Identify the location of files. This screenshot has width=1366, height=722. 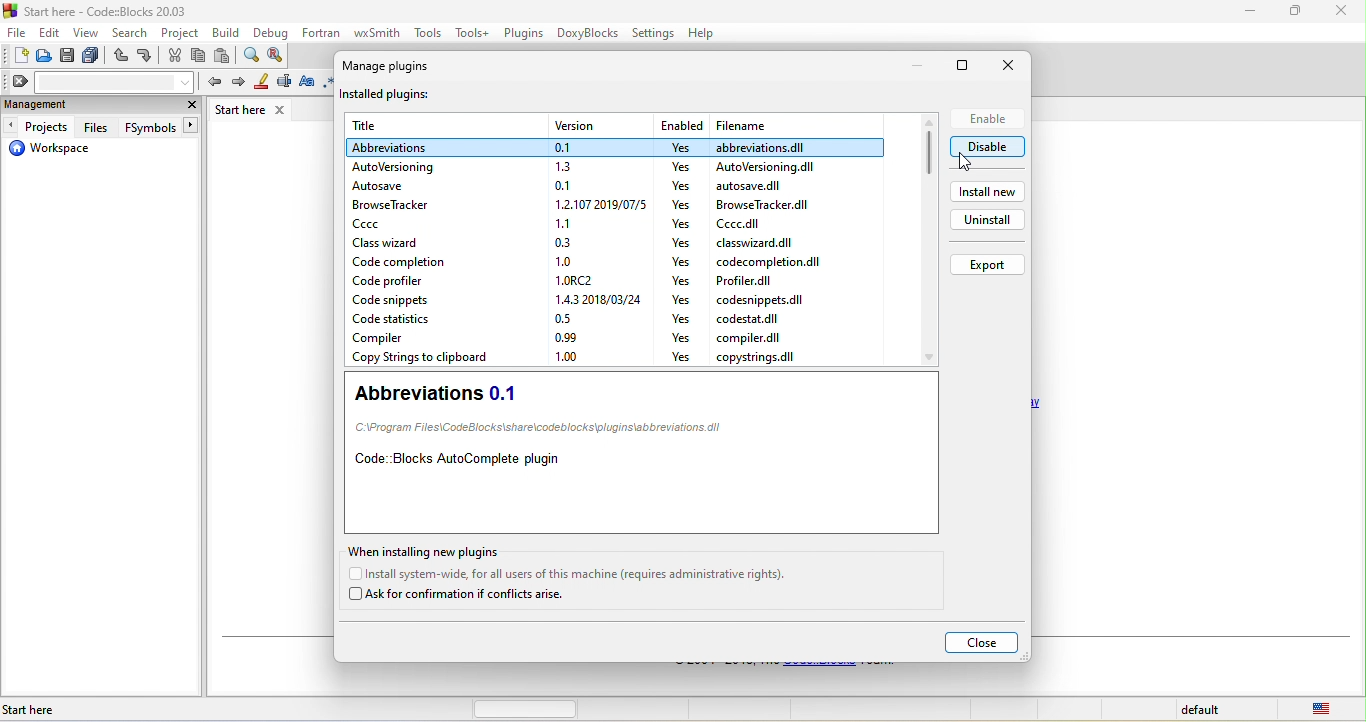
(99, 127).